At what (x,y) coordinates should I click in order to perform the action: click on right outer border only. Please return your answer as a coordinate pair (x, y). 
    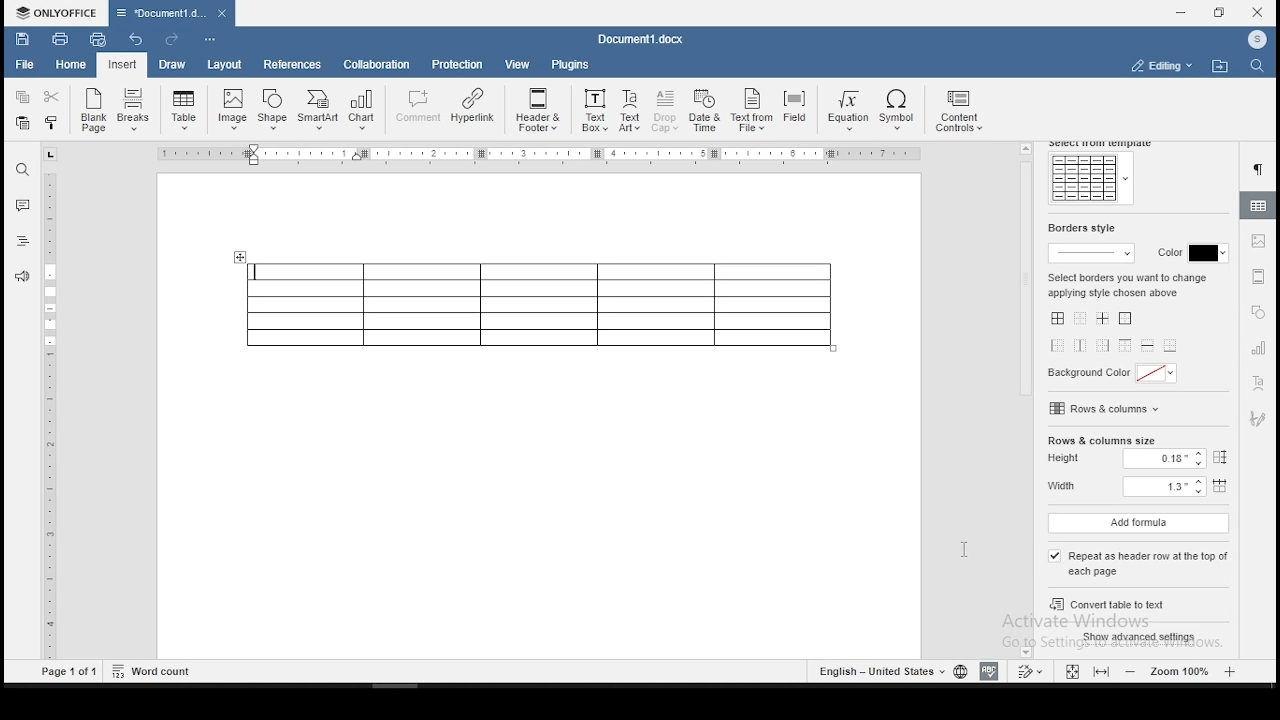
    Looking at the image, I should click on (1101, 345).